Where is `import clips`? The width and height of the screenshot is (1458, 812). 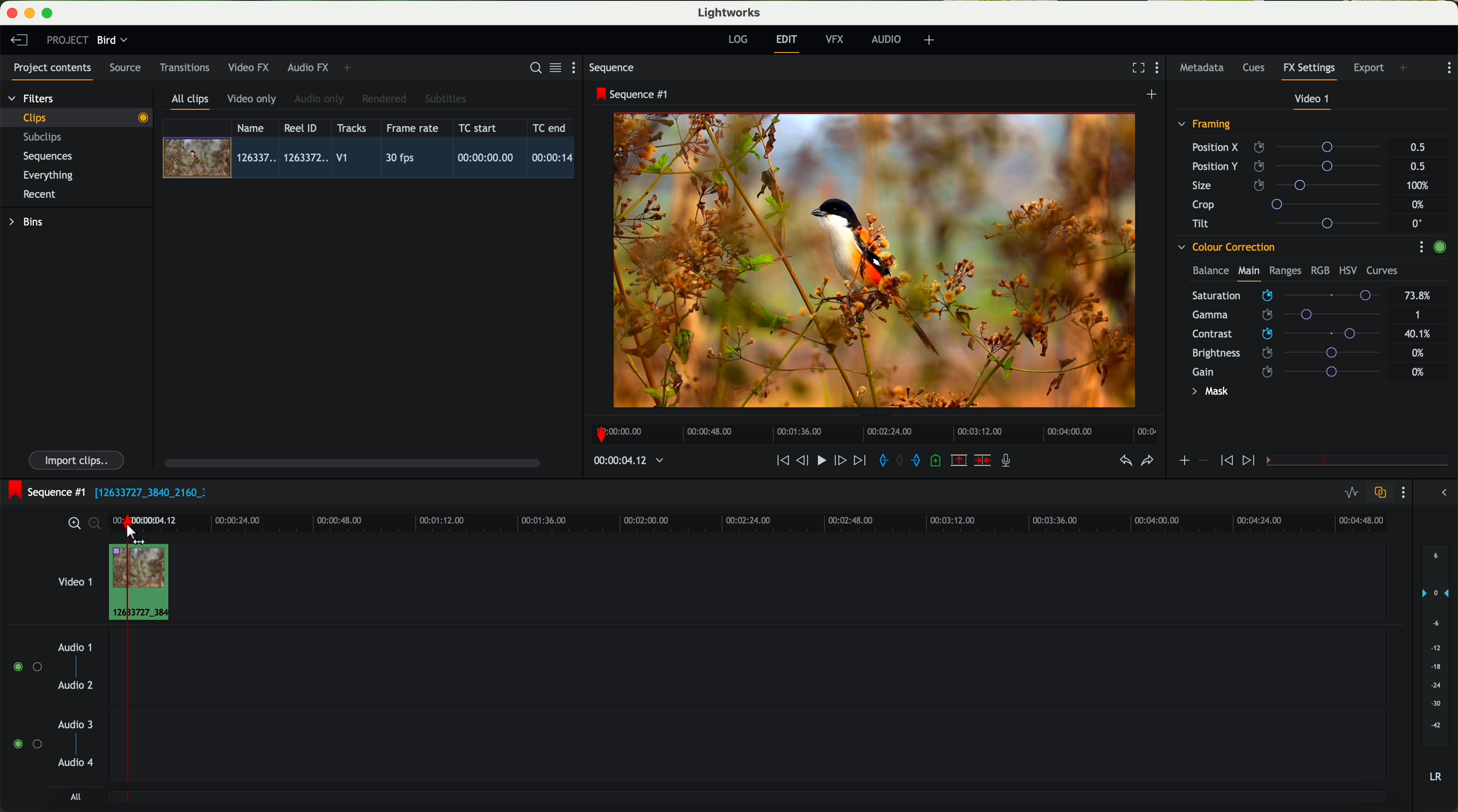 import clips is located at coordinates (78, 459).